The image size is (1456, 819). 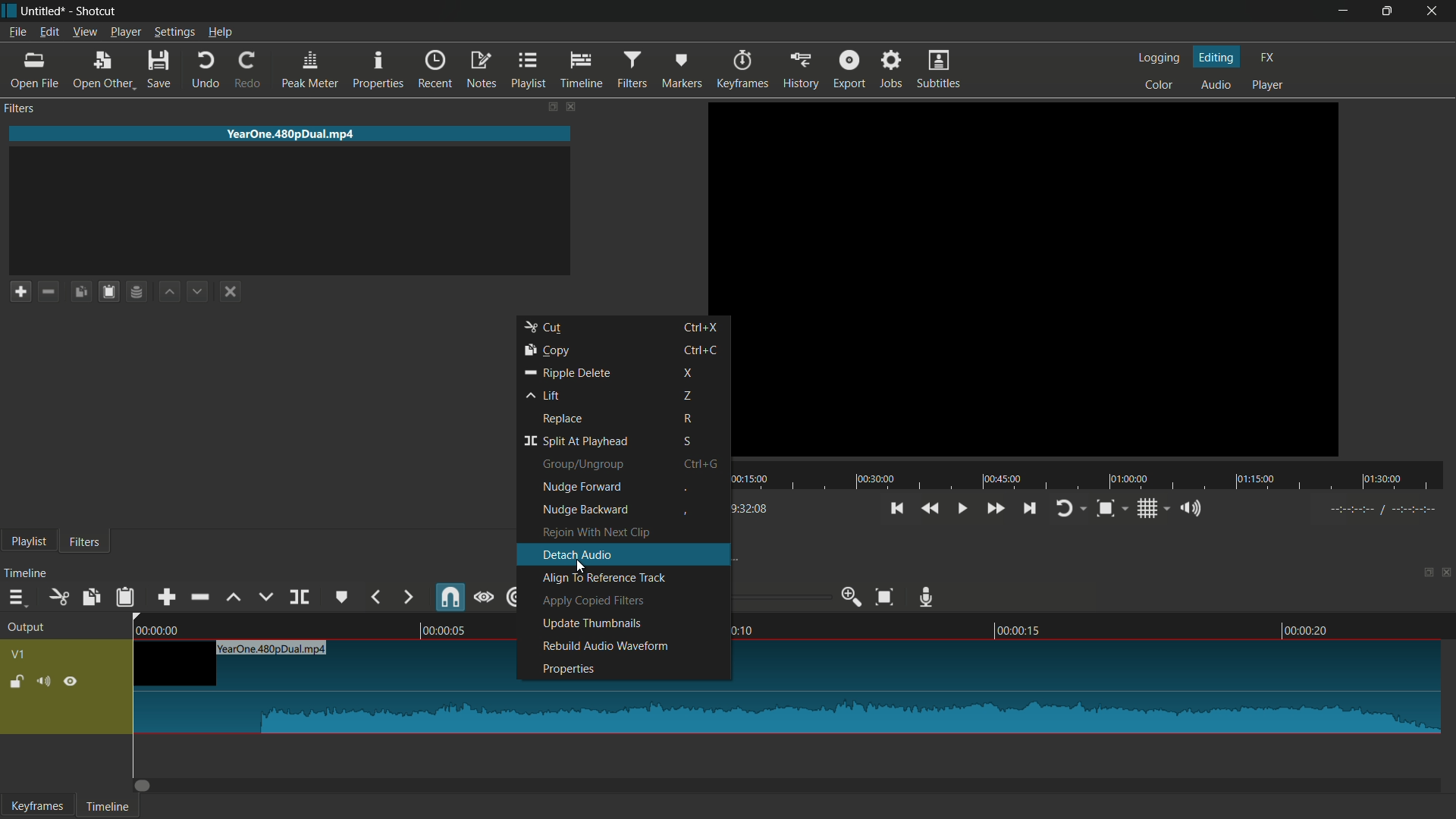 What do you see at coordinates (34, 70) in the screenshot?
I see `open file` at bounding box center [34, 70].